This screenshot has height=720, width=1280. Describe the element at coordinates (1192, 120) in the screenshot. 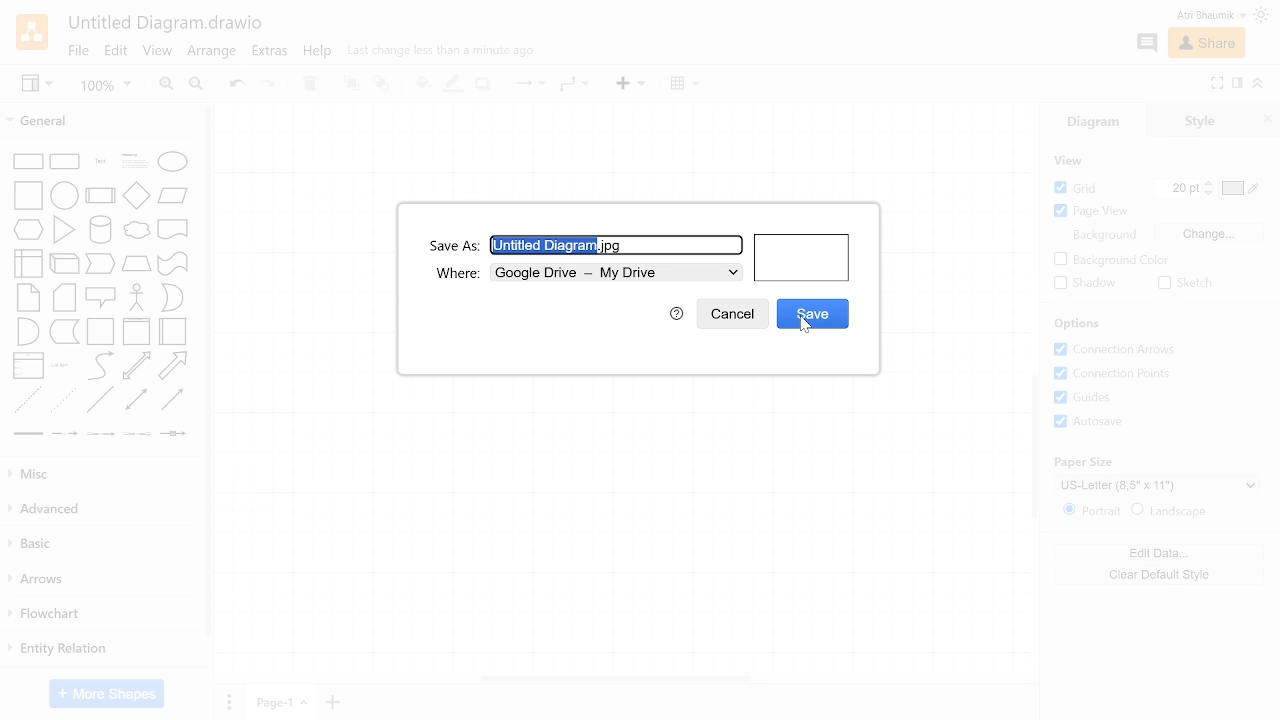

I see `Style` at that location.